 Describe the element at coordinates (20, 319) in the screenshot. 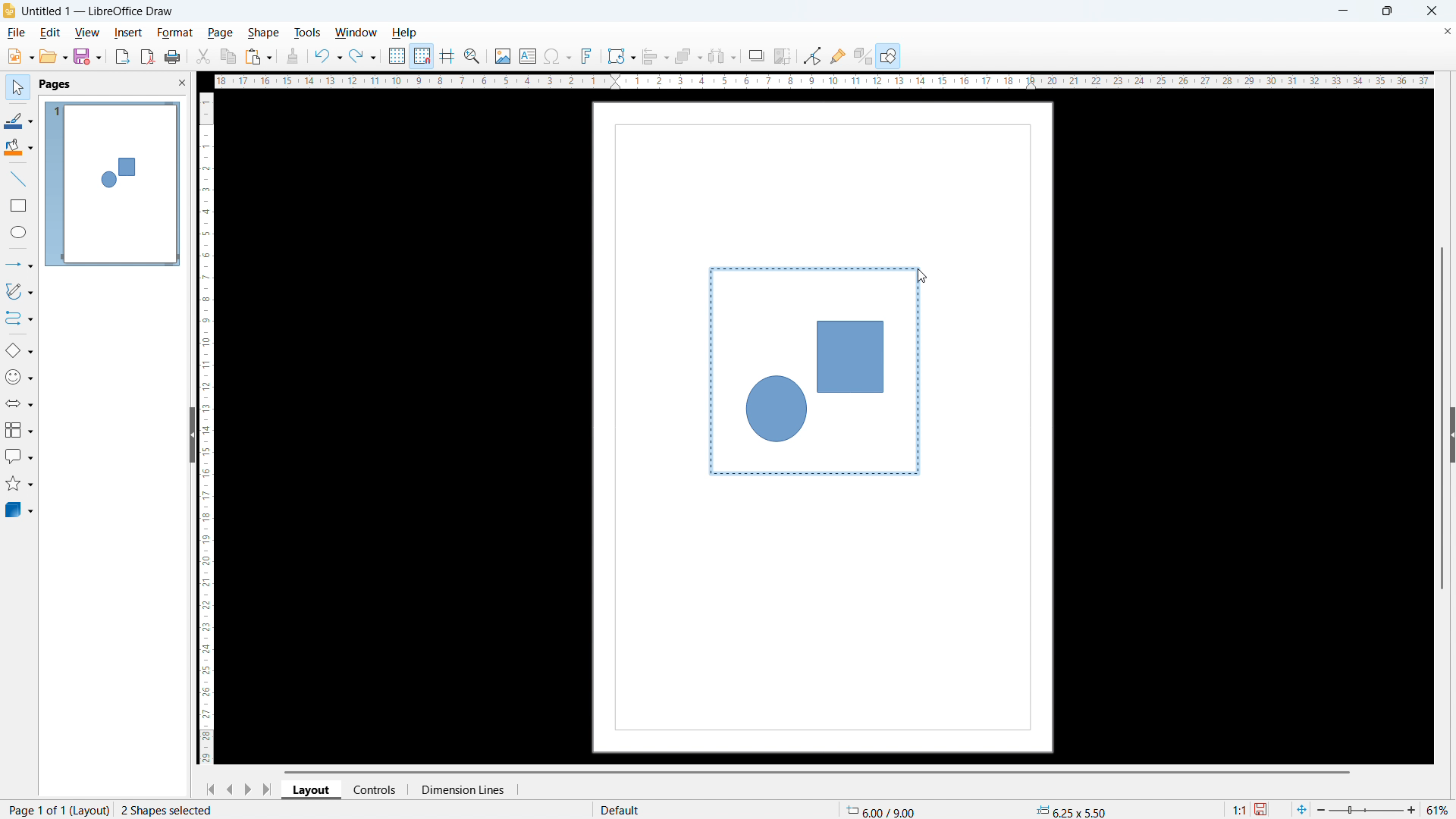

I see `connectors` at that location.